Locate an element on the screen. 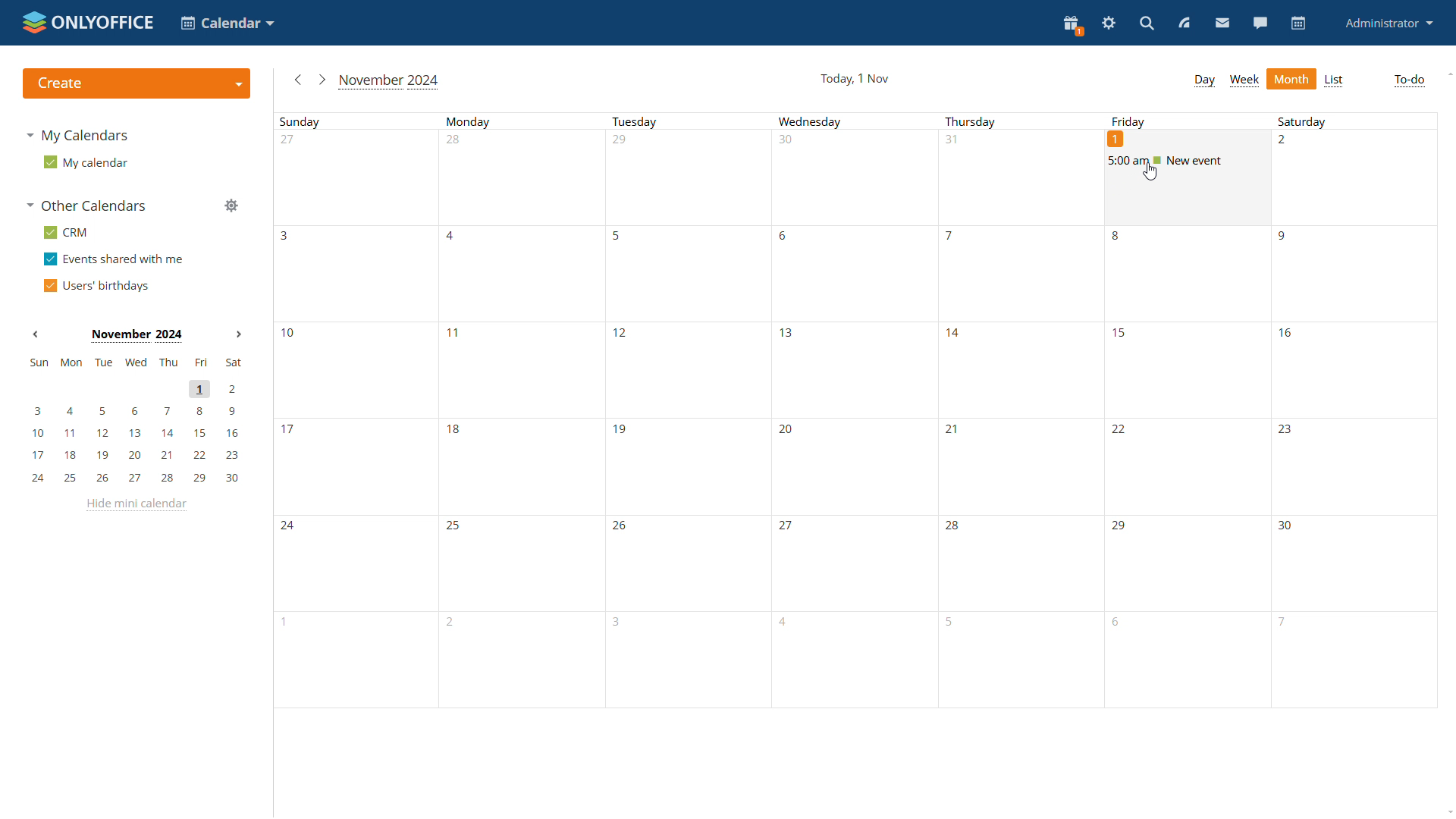 The image size is (1456, 819). choose application is located at coordinates (226, 22).